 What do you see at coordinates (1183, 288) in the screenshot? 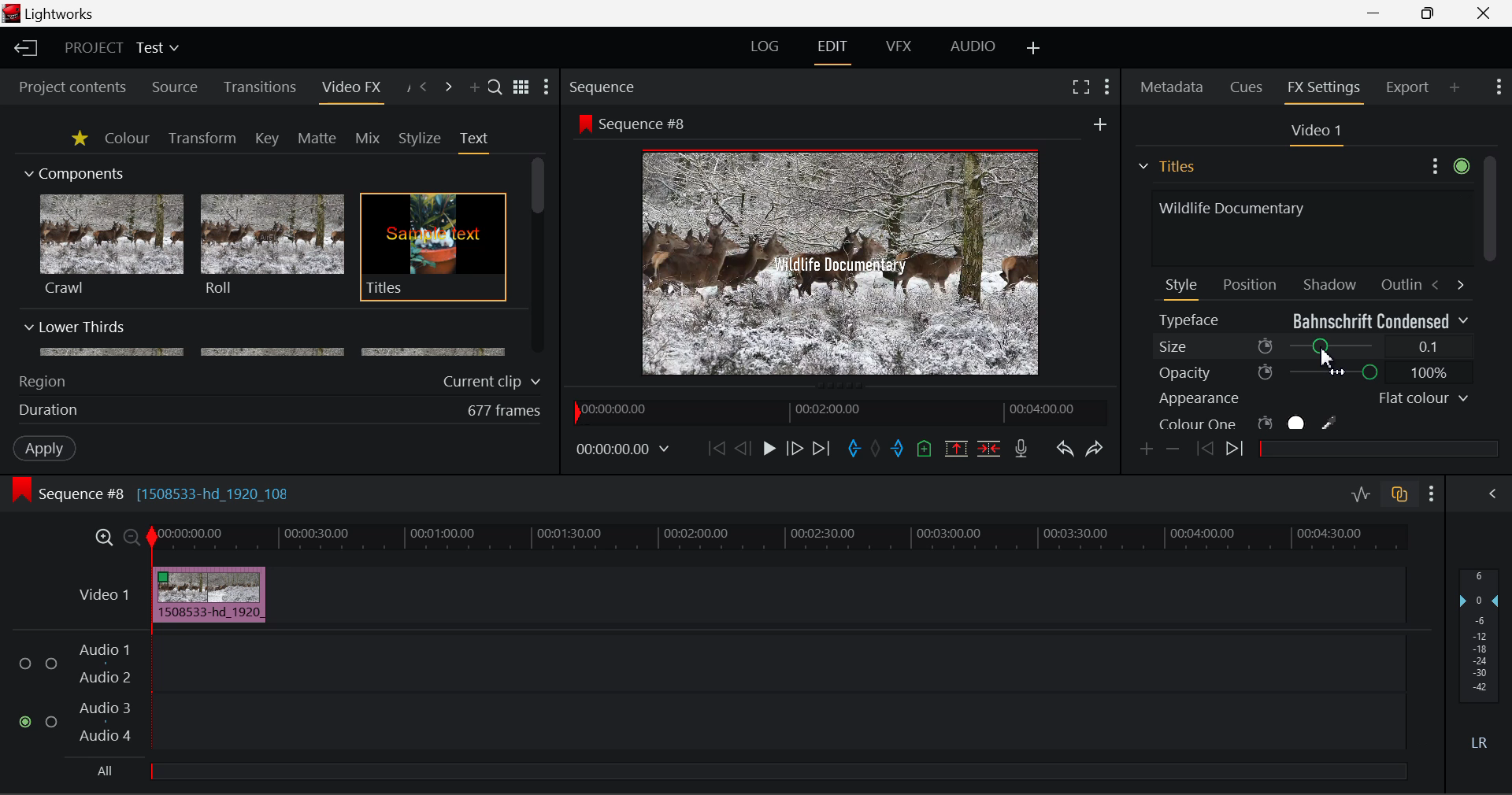
I see `Style Tab Open` at bounding box center [1183, 288].